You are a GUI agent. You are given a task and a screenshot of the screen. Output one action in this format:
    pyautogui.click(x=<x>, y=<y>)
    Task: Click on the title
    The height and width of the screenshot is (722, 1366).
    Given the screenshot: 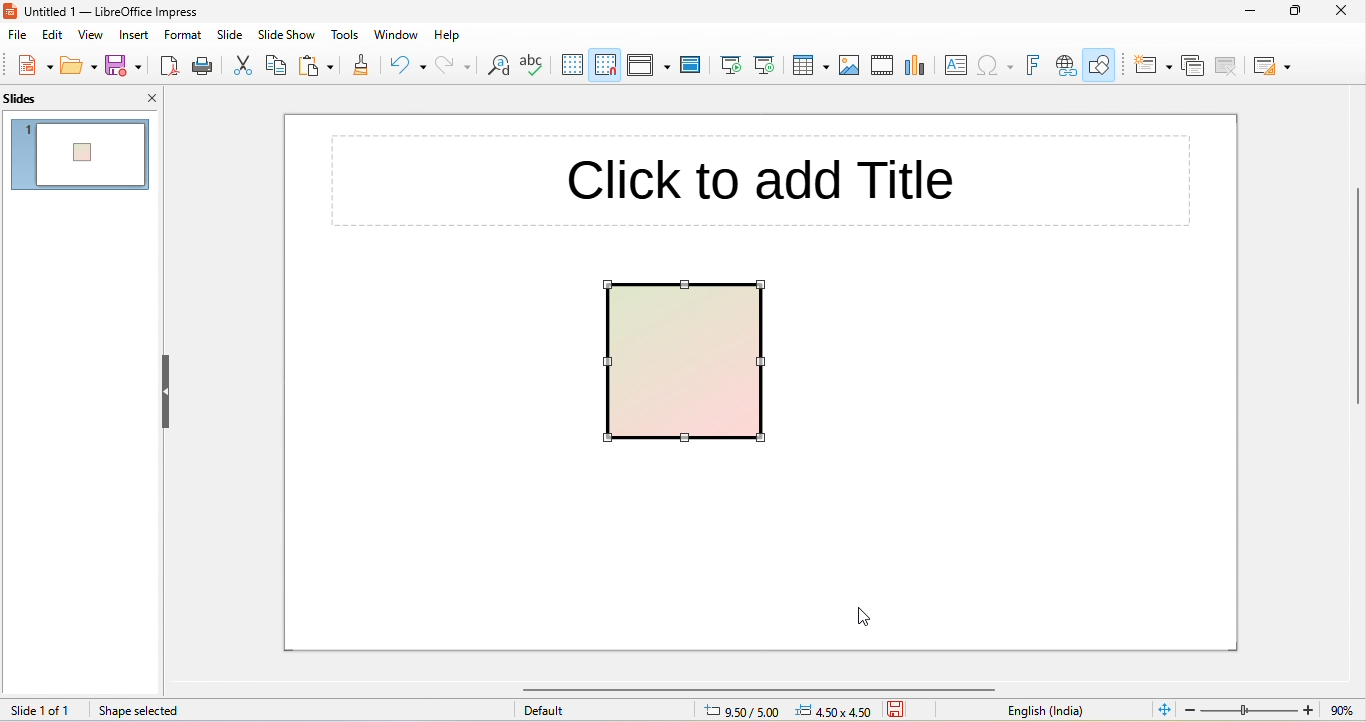 What is the action you would take?
    pyautogui.click(x=125, y=11)
    